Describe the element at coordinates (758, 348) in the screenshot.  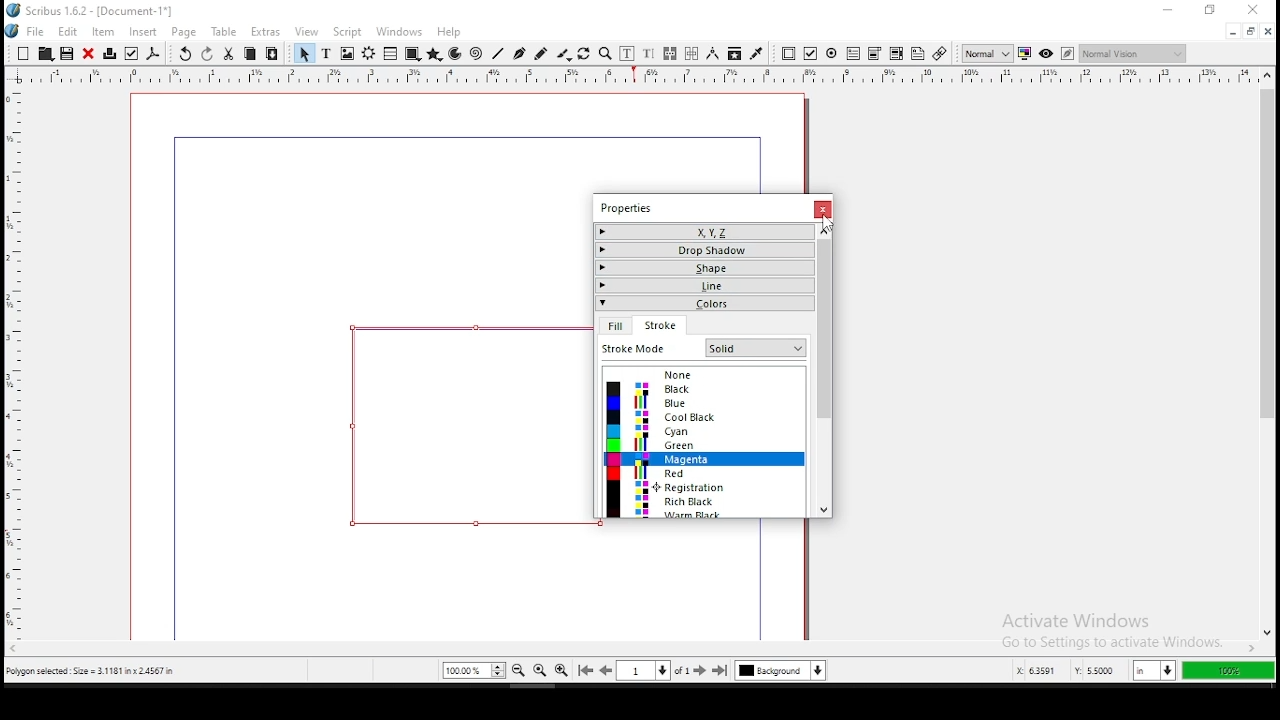
I see `` at that location.